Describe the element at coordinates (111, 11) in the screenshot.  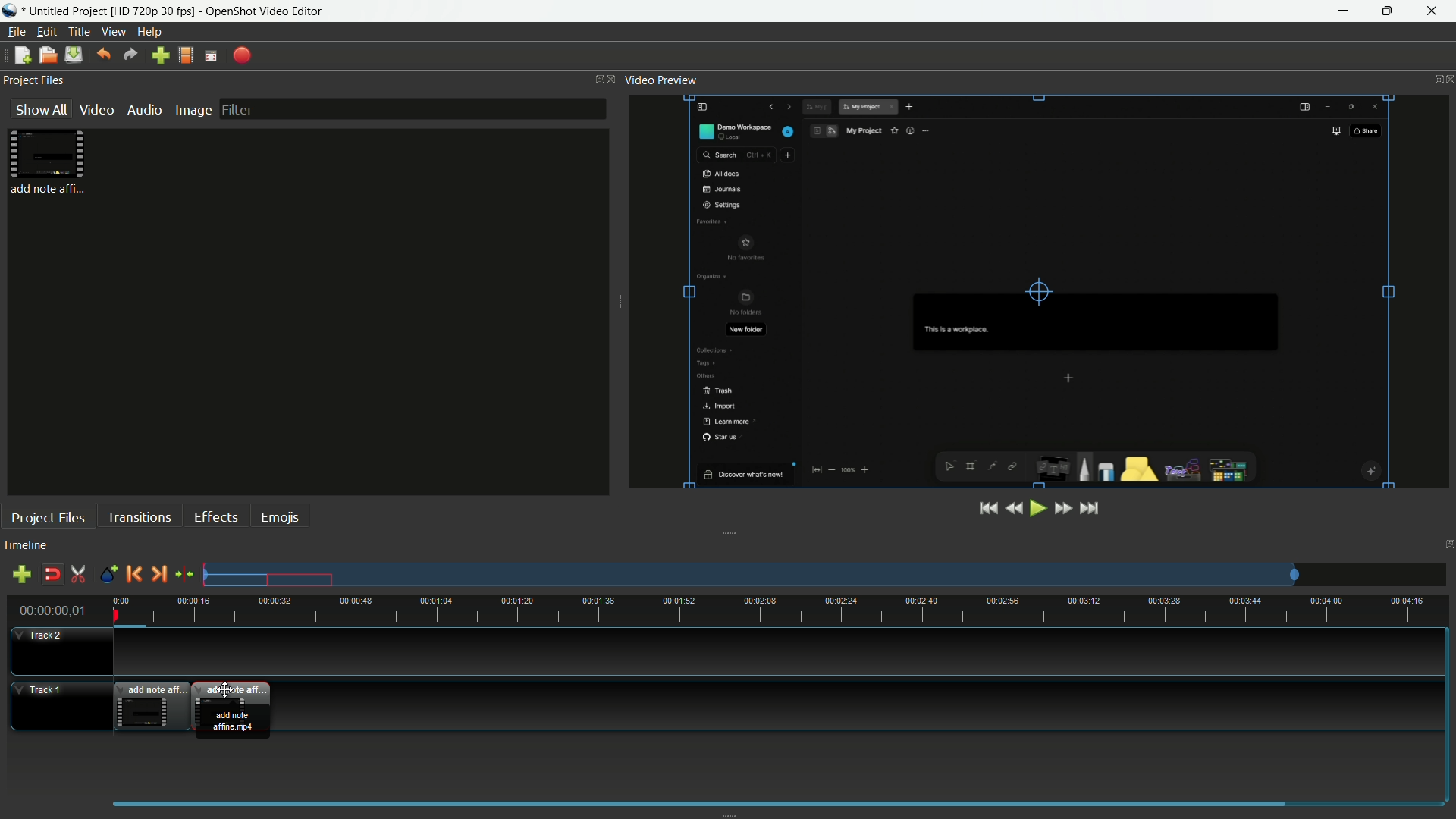
I see `project name` at that location.